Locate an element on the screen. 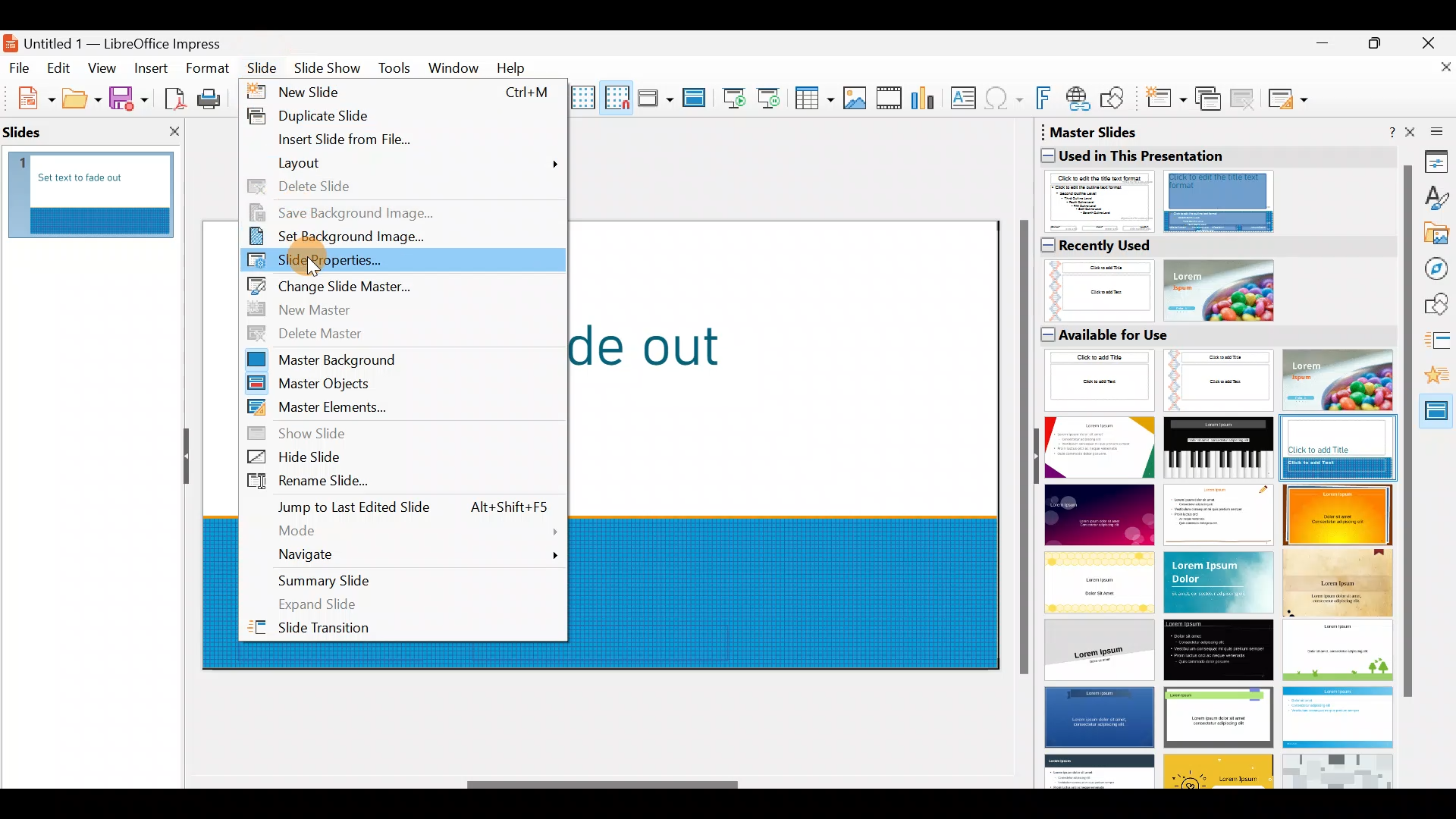 The height and width of the screenshot is (819, 1456). Change slide master is located at coordinates (395, 285).